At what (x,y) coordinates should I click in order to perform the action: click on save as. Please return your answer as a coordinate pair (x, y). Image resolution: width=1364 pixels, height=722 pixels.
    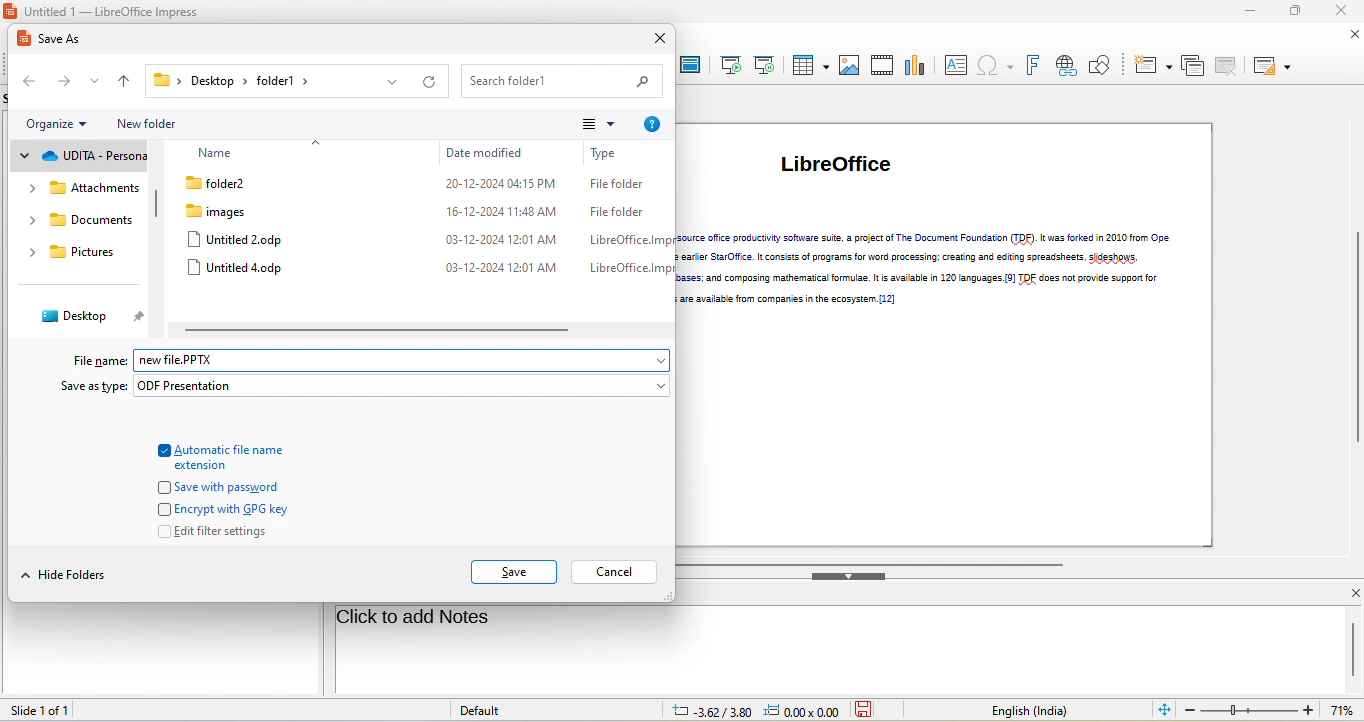
    Looking at the image, I should click on (59, 42).